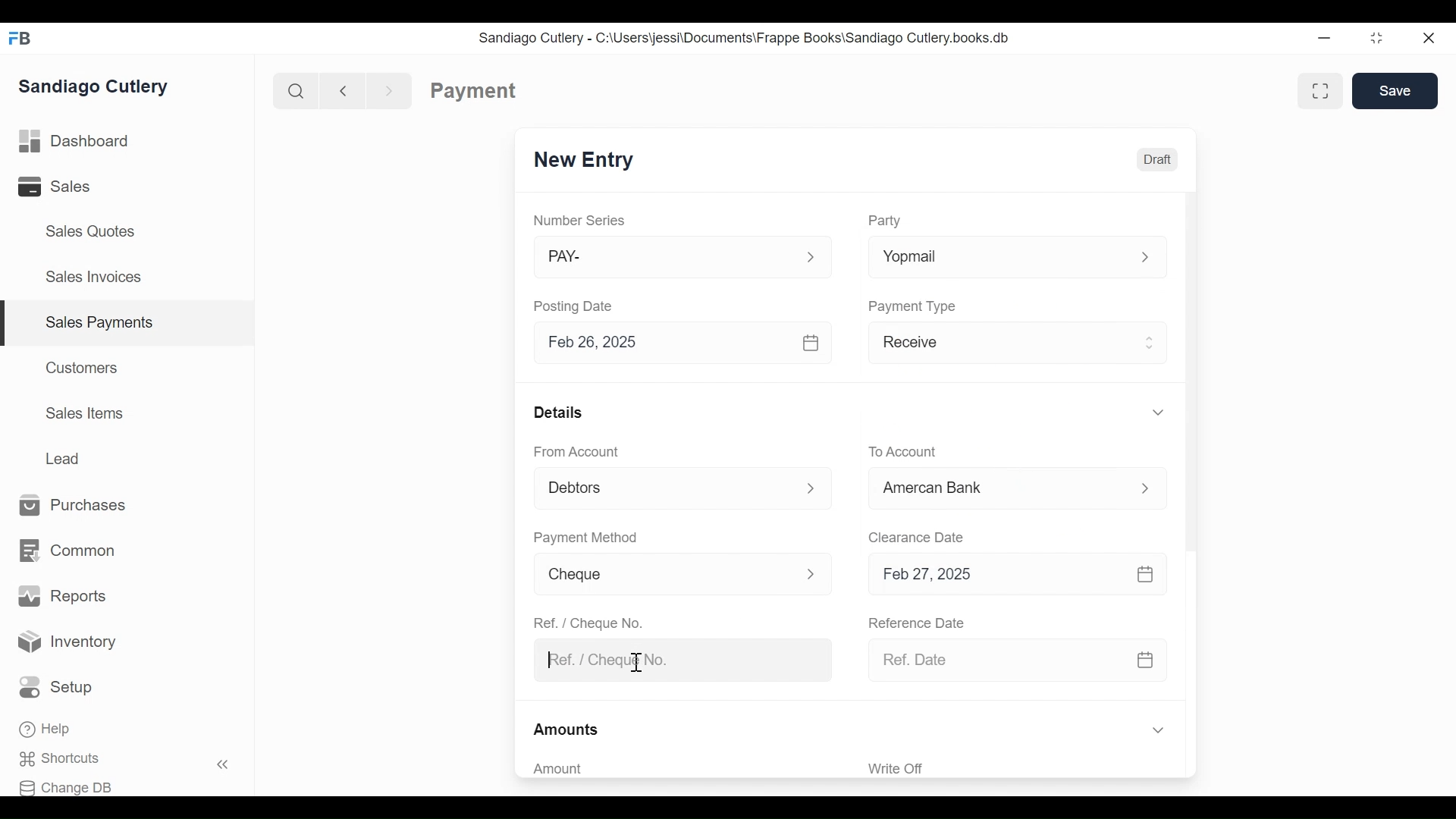 This screenshot has height=819, width=1456. I want to click on From Account, so click(578, 452).